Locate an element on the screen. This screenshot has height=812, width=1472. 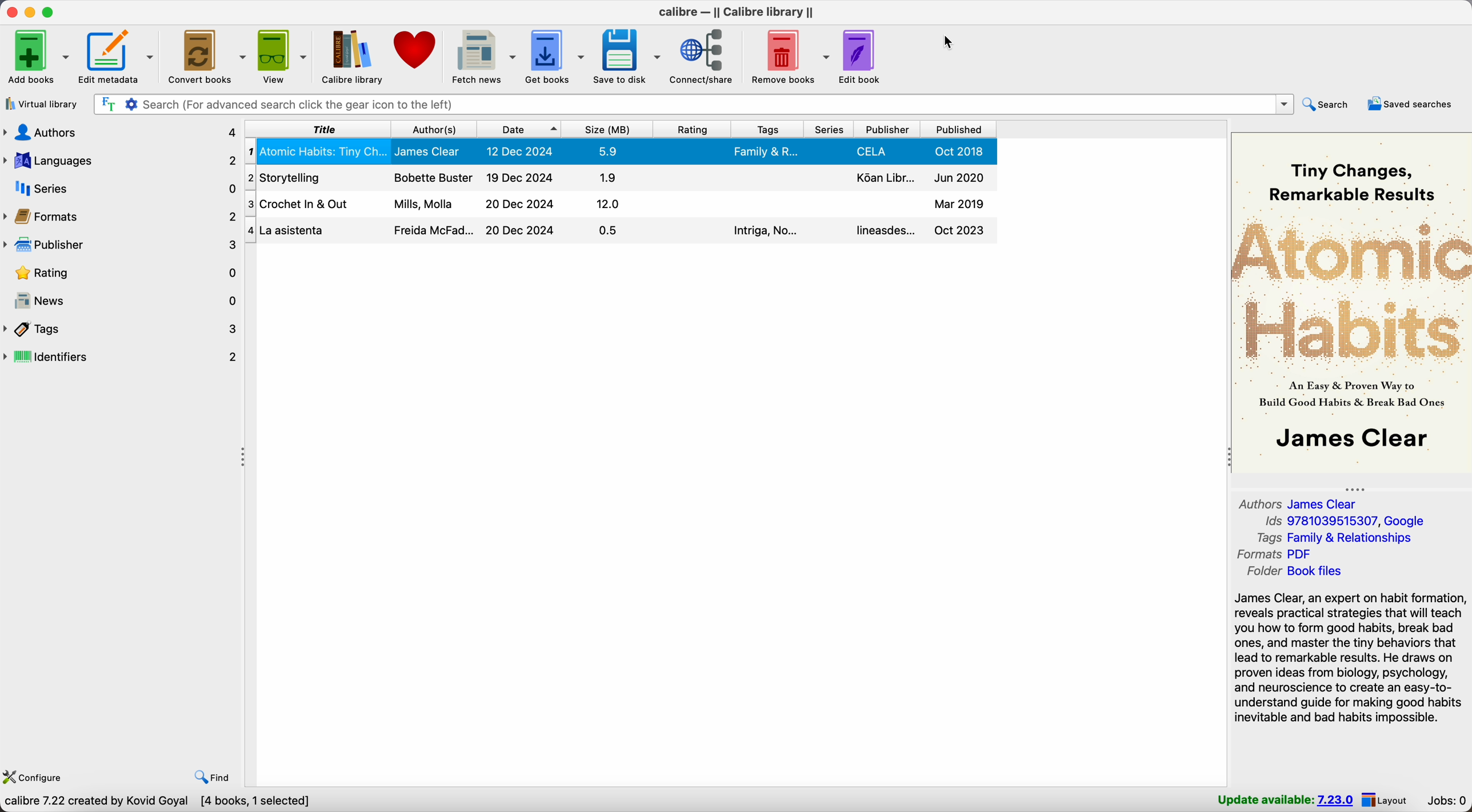
date is located at coordinates (519, 129).